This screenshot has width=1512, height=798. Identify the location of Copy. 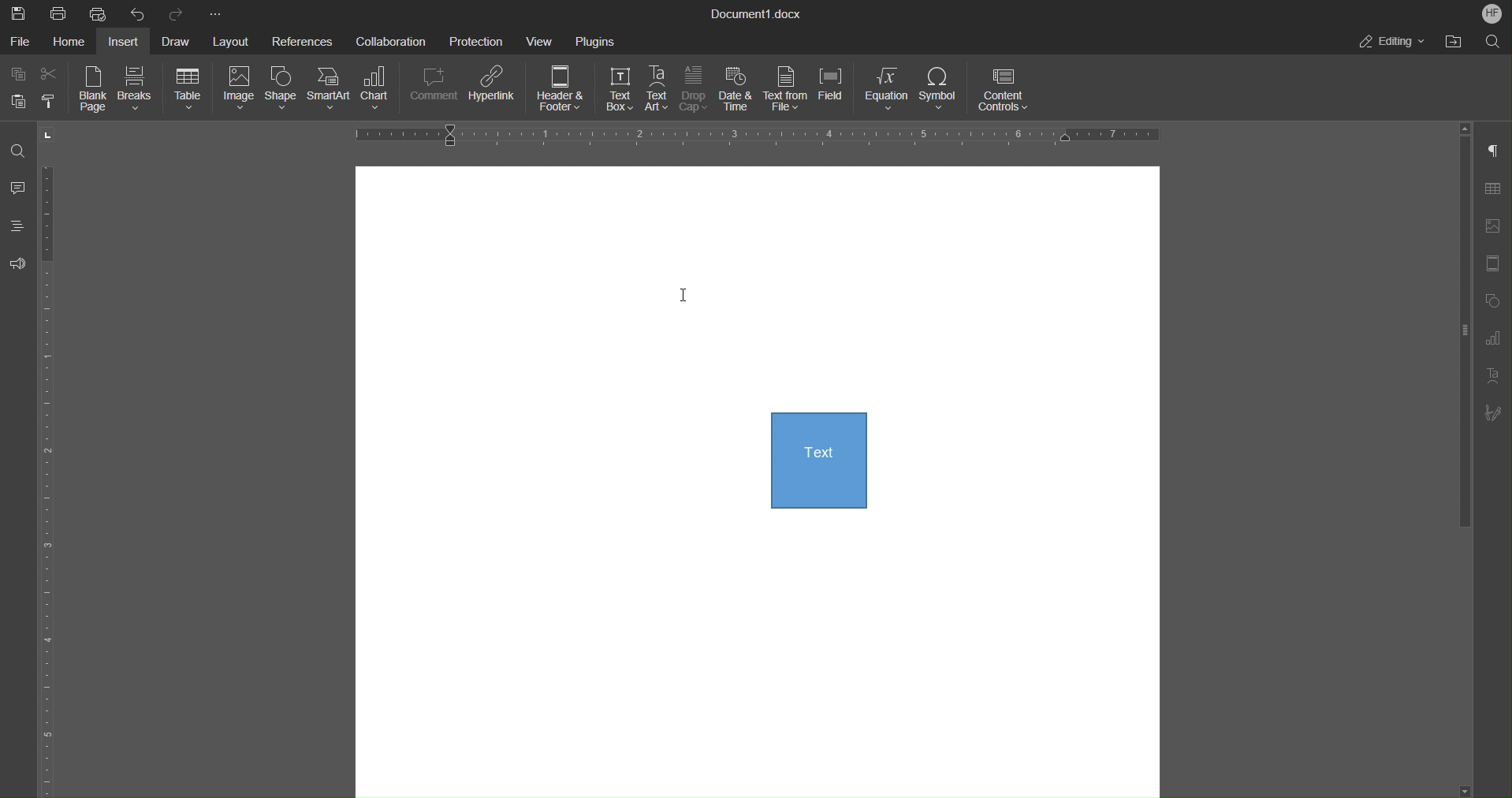
(17, 73).